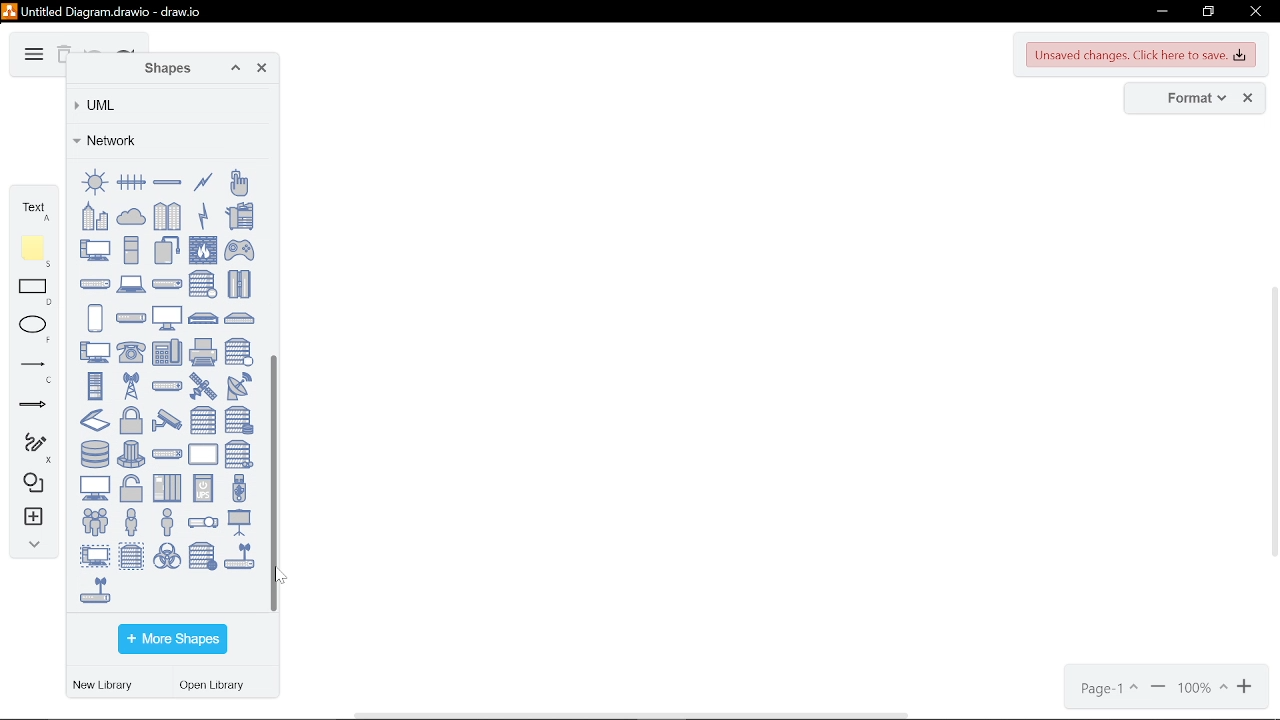 Image resolution: width=1280 pixels, height=720 pixels. What do you see at coordinates (30, 547) in the screenshot?
I see `collapse` at bounding box center [30, 547].